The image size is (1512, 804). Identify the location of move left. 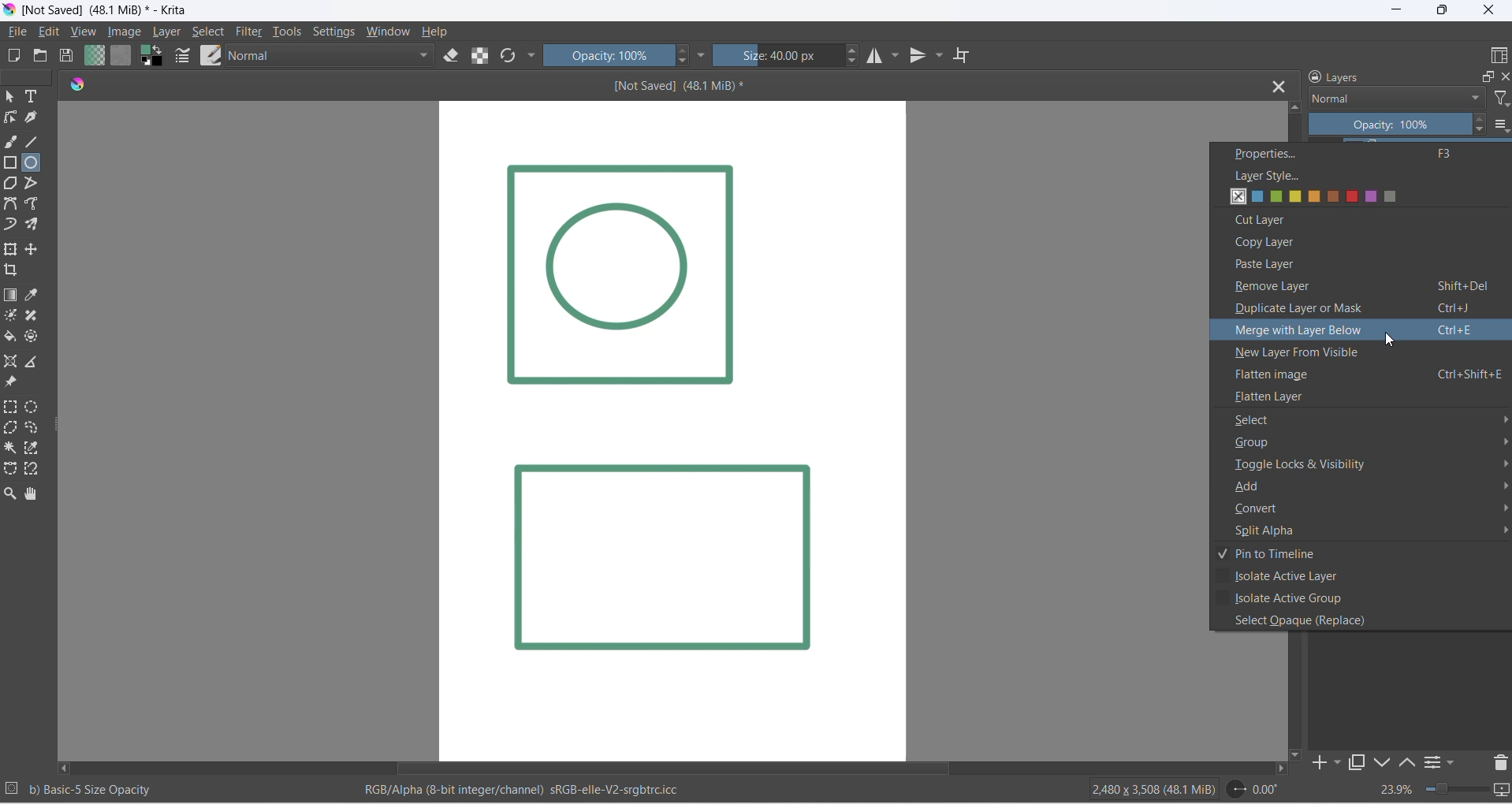
(65, 769).